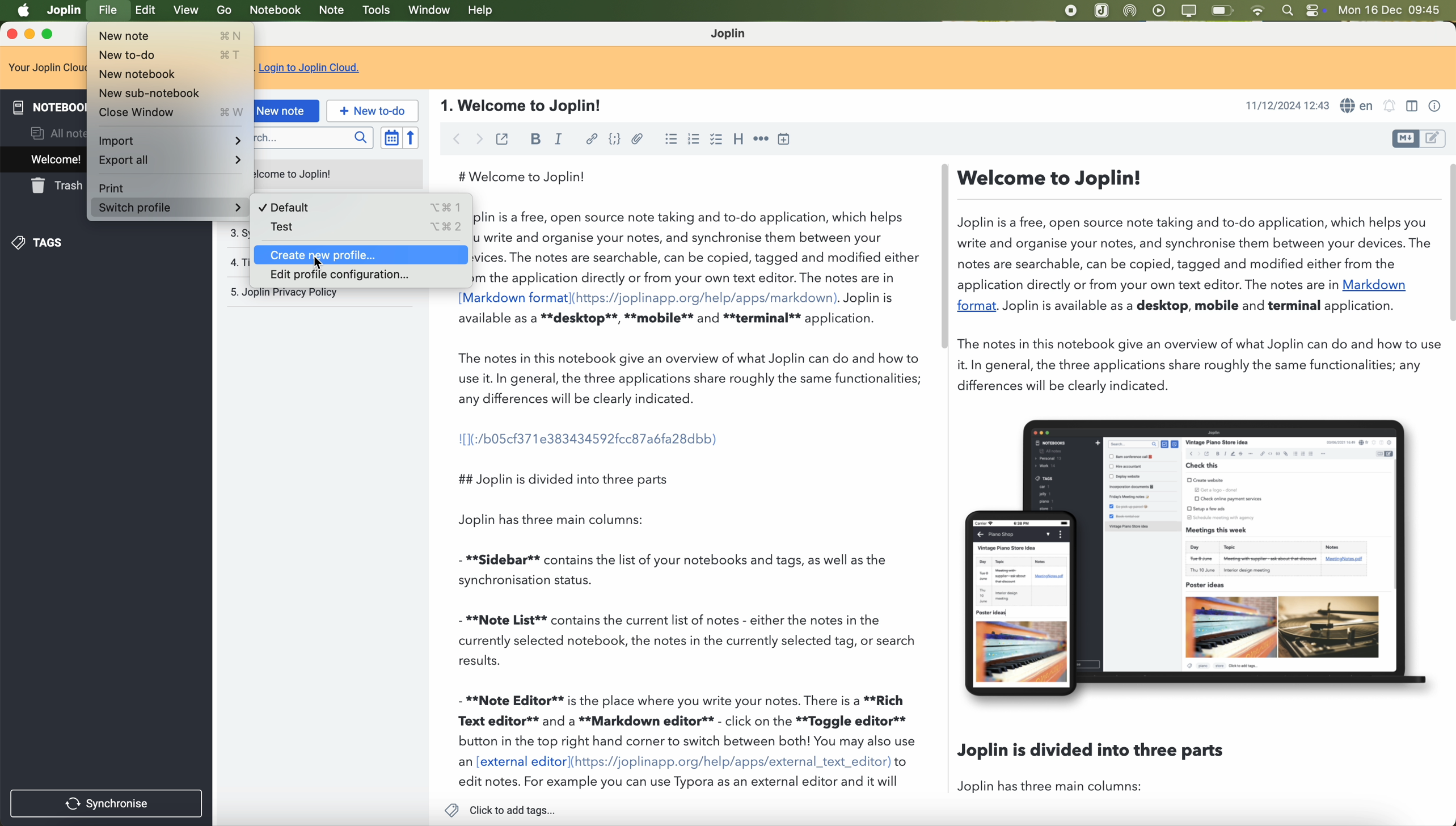 Image resolution: width=1456 pixels, height=826 pixels. I want to click on horizontal rule, so click(761, 138).